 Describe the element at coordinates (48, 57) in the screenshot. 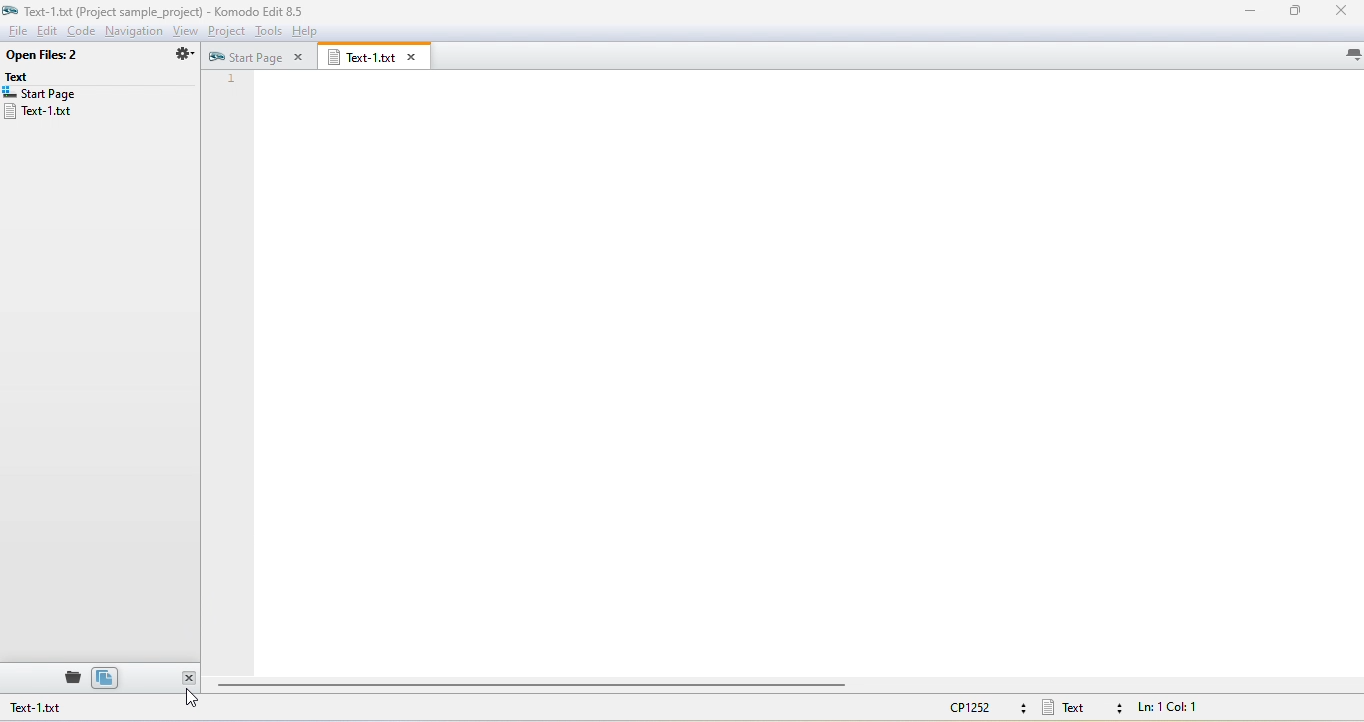

I see `open files2` at that location.